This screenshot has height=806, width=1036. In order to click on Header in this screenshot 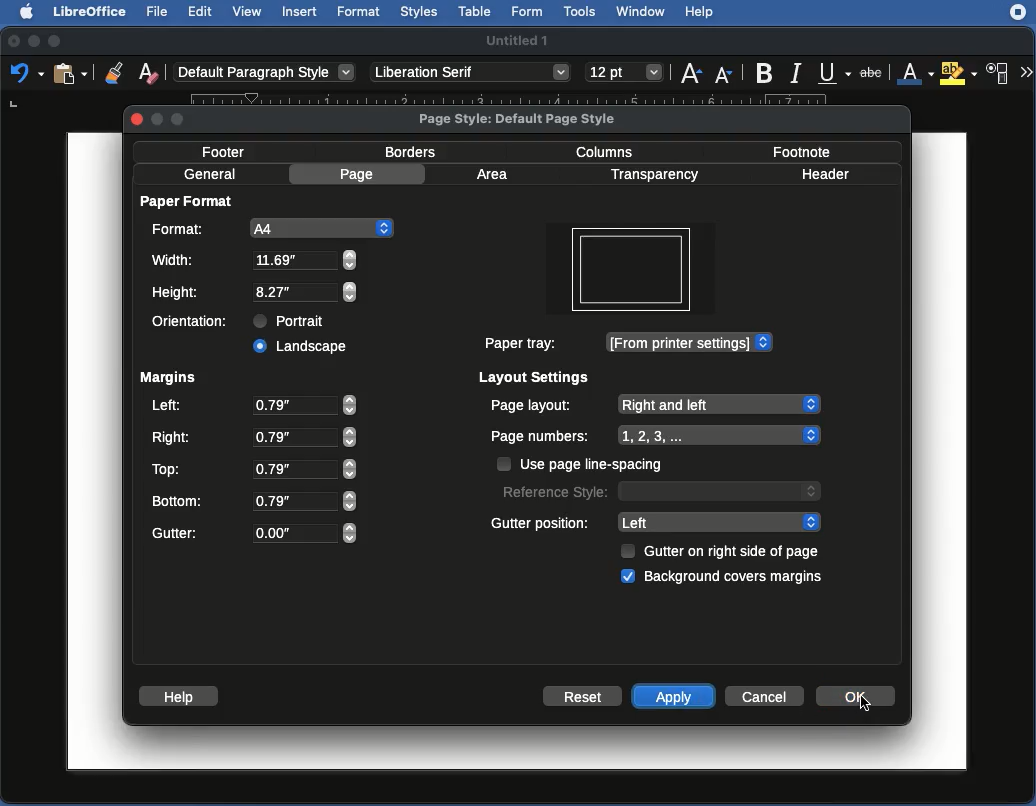, I will do `click(832, 173)`.